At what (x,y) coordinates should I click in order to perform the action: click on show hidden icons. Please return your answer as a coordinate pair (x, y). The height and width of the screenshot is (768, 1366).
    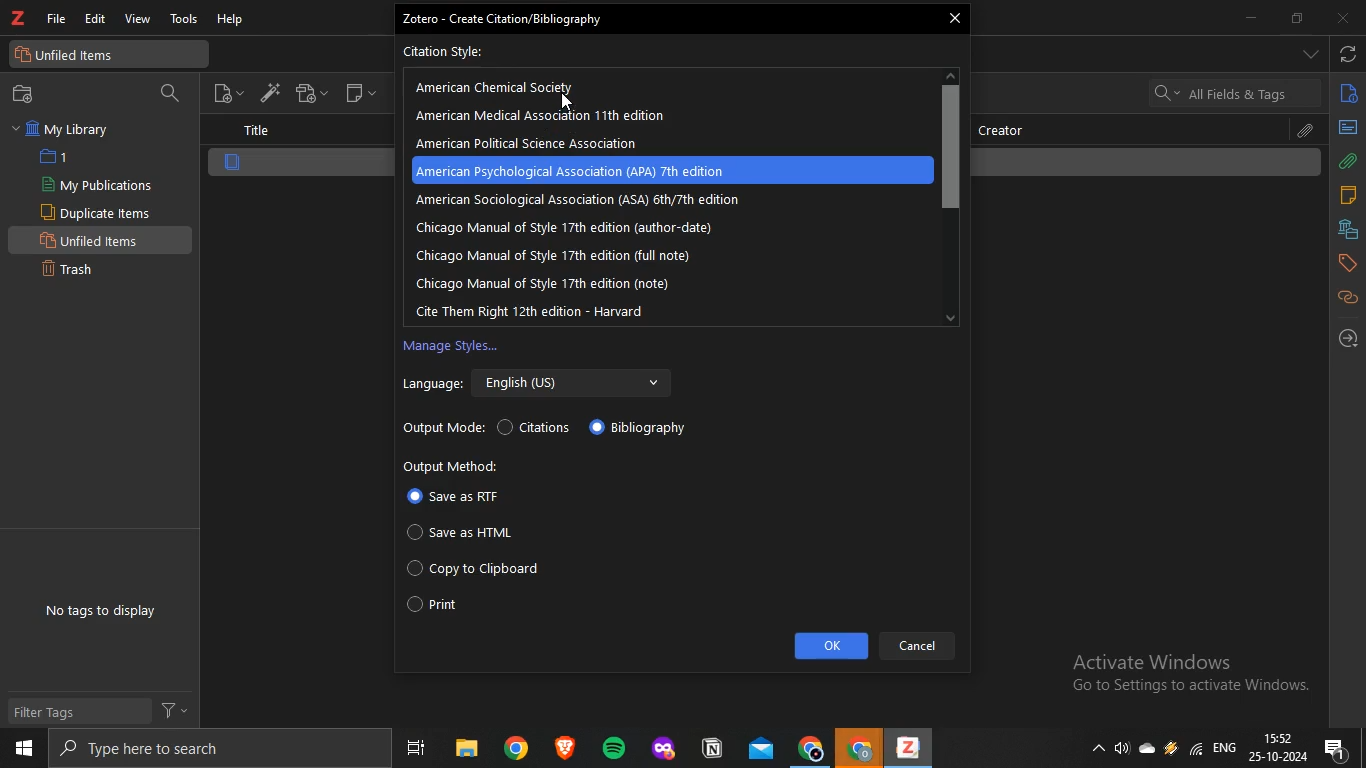
    Looking at the image, I should click on (1095, 746).